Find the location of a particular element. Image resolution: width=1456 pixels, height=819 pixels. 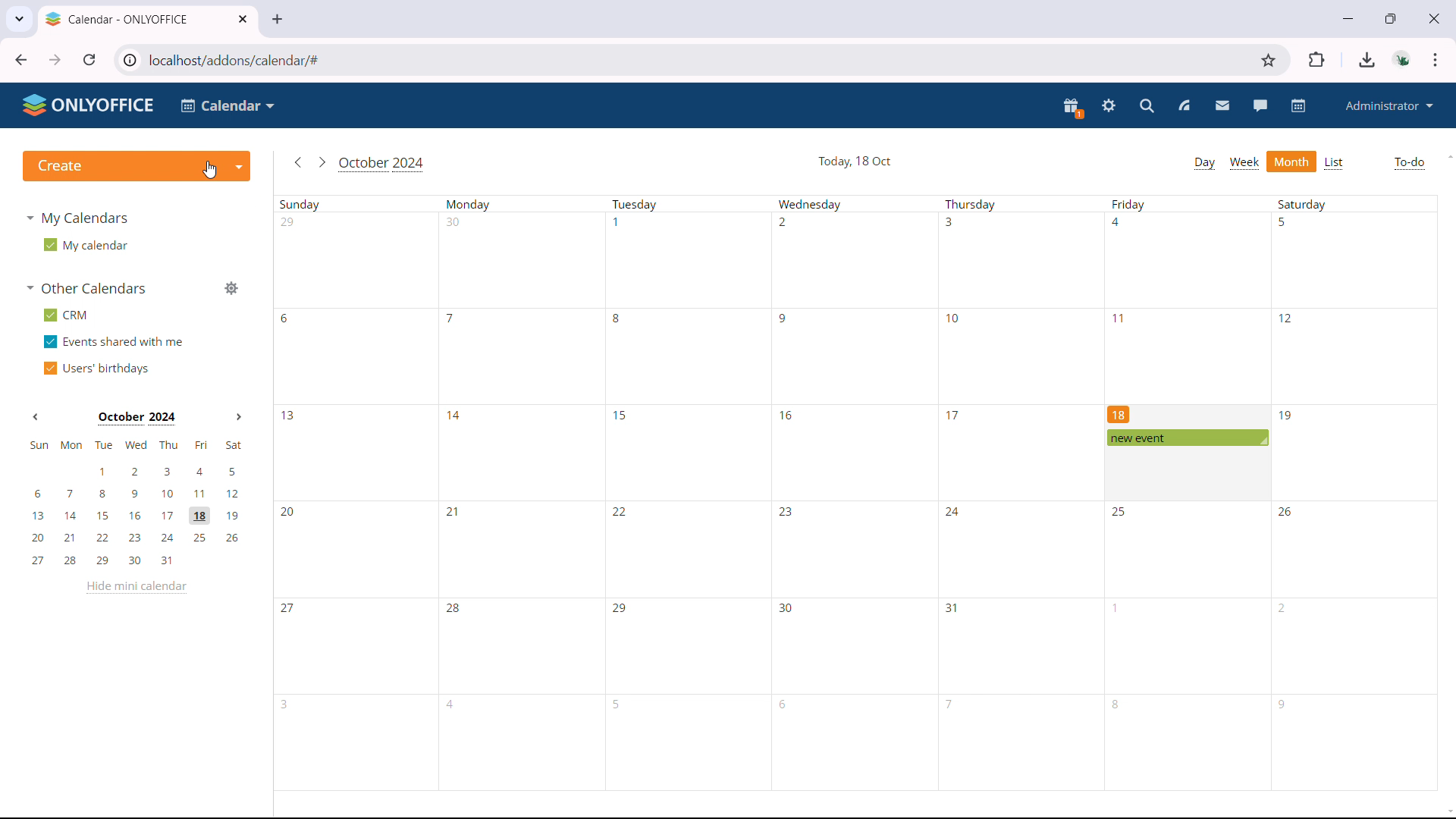

Tuesday is located at coordinates (636, 205).